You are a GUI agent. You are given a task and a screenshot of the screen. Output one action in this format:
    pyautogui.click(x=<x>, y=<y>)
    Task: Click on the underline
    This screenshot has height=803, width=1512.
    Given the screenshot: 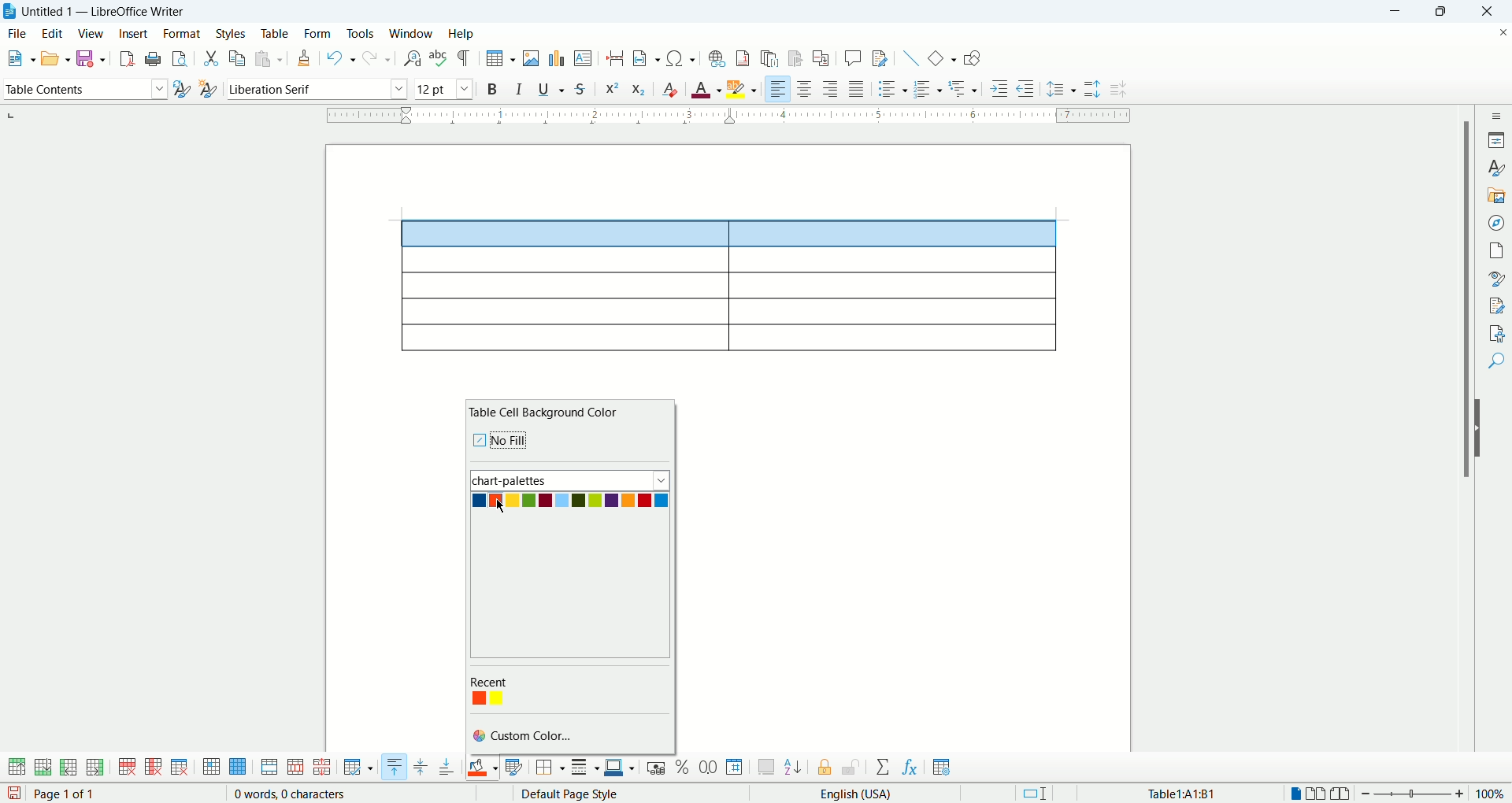 What is the action you would take?
    pyautogui.click(x=551, y=87)
    